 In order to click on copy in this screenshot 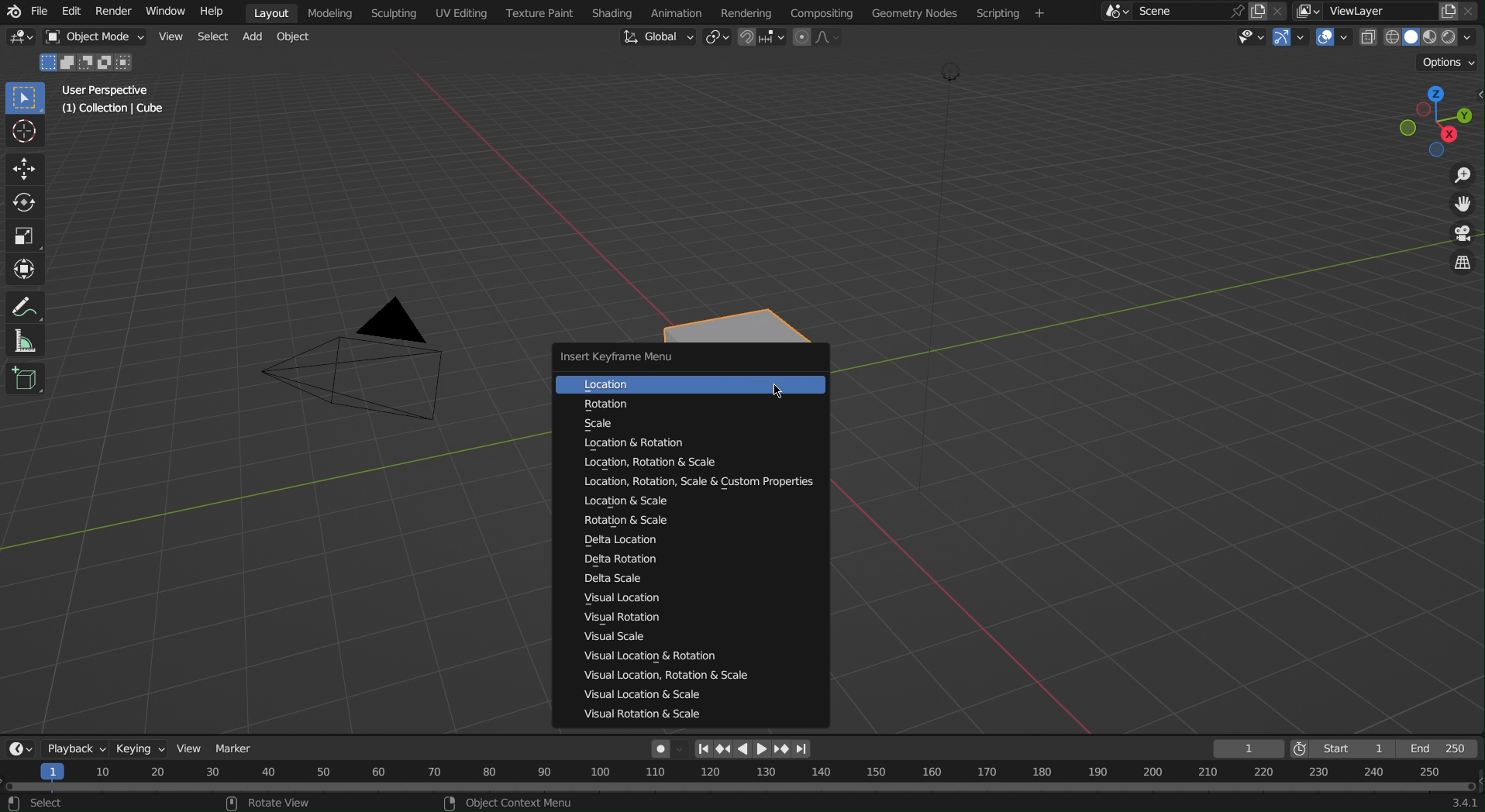, I will do `click(1259, 11)`.